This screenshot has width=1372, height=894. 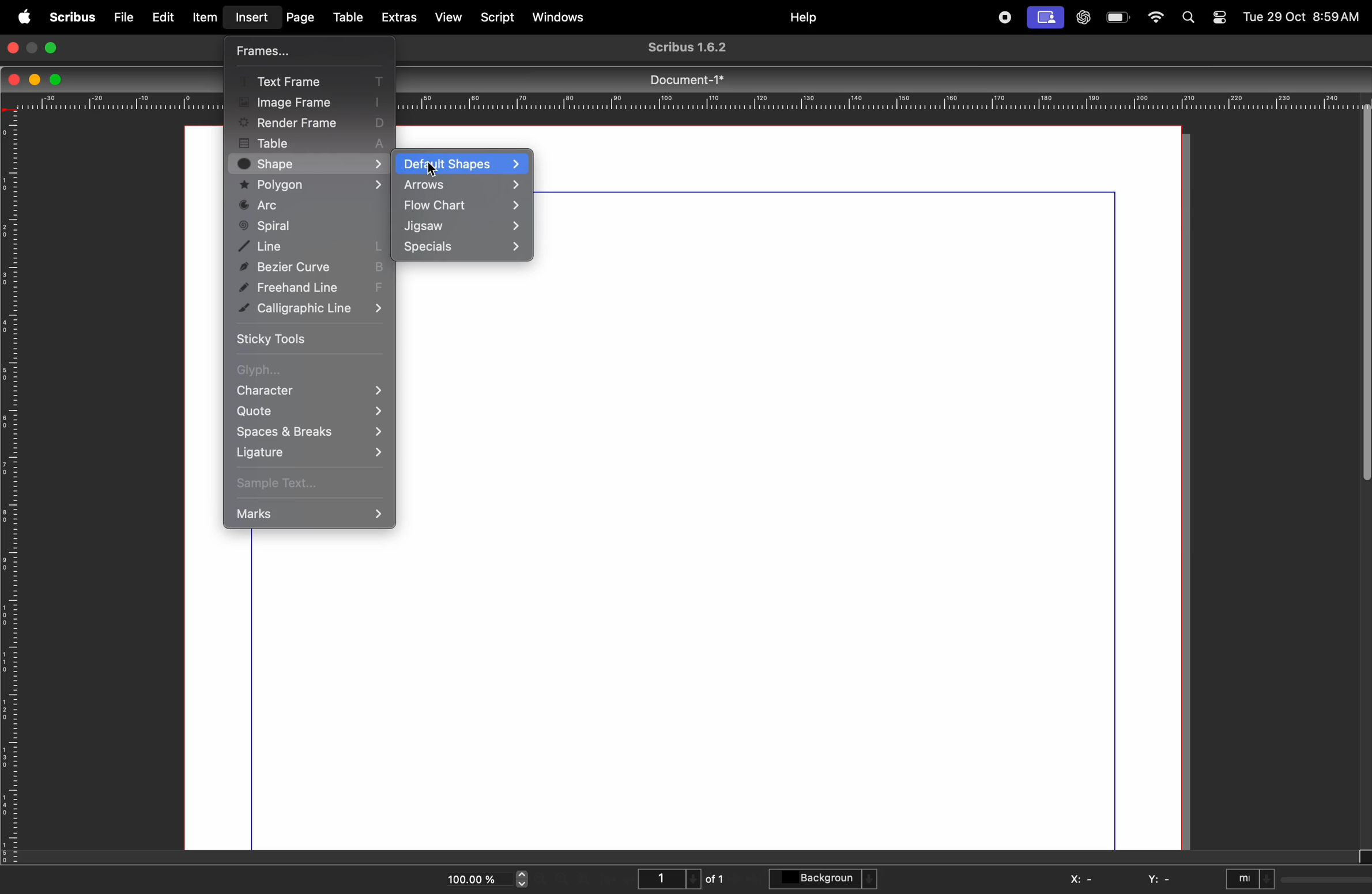 What do you see at coordinates (310, 413) in the screenshot?
I see `quote` at bounding box center [310, 413].